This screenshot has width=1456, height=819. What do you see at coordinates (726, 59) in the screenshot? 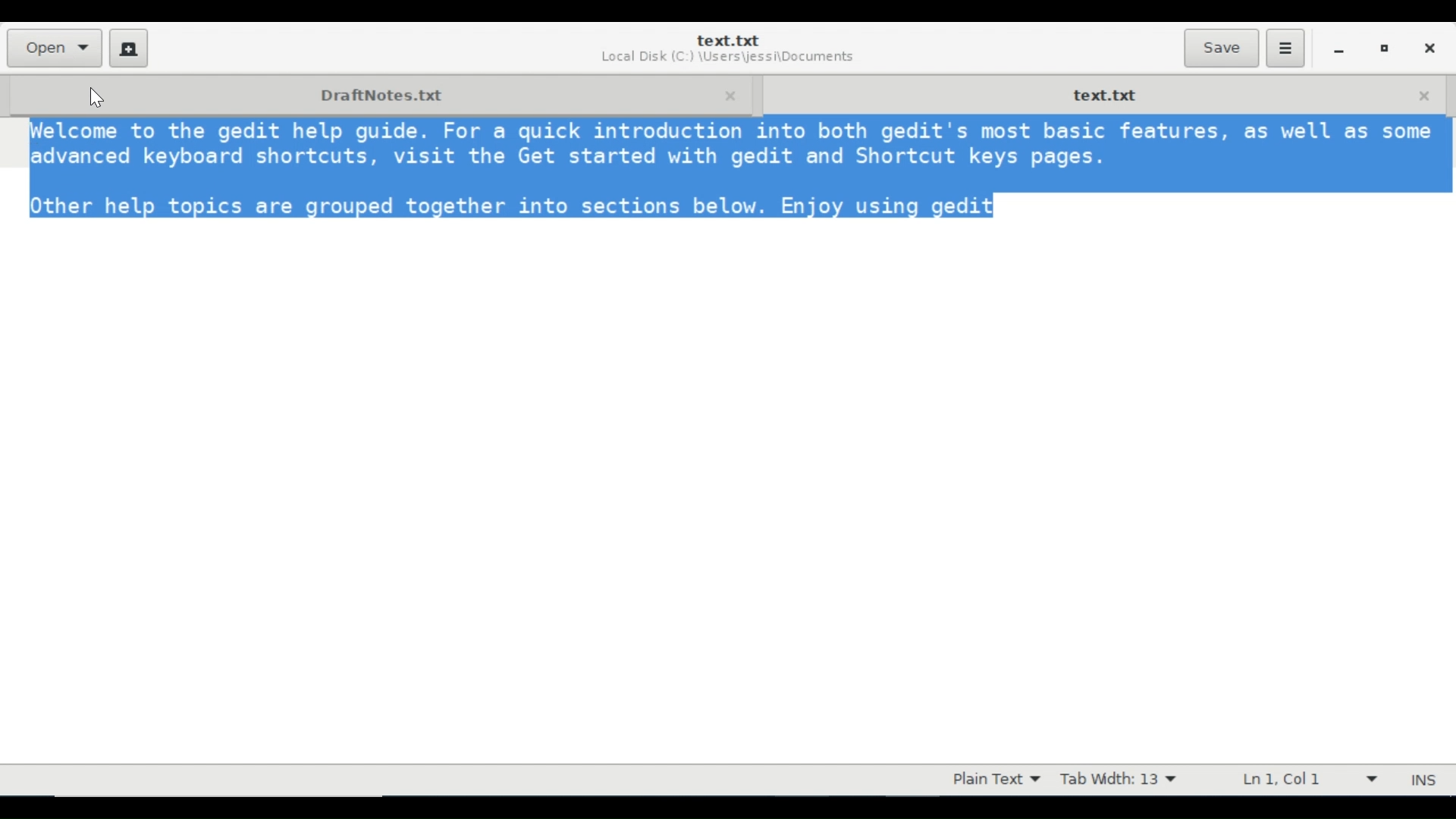
I see `Document path` at bounding box center [726, 59].